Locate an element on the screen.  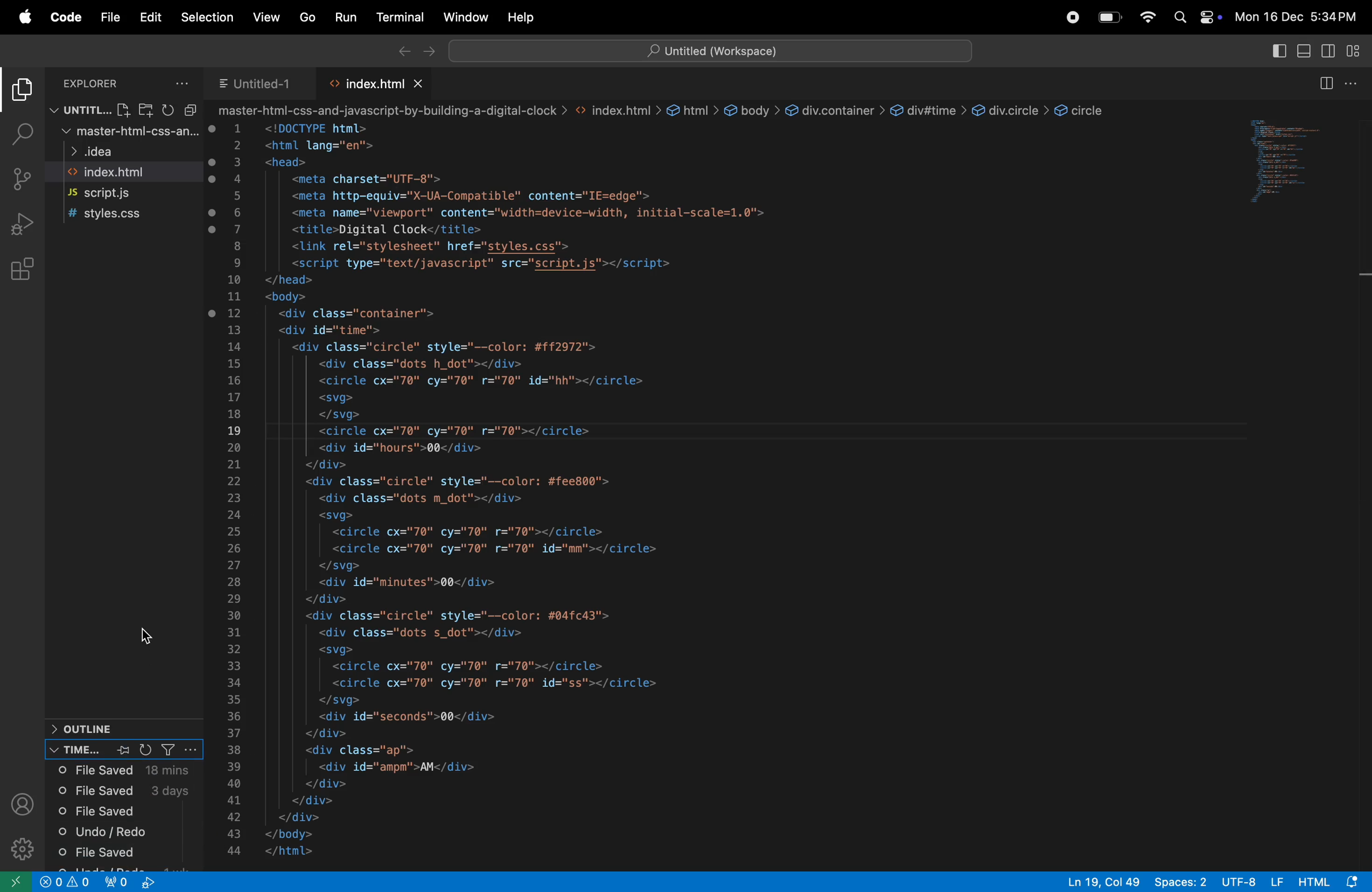
<div class="dots s_dot"></div> is located at coordinates (424, 633).